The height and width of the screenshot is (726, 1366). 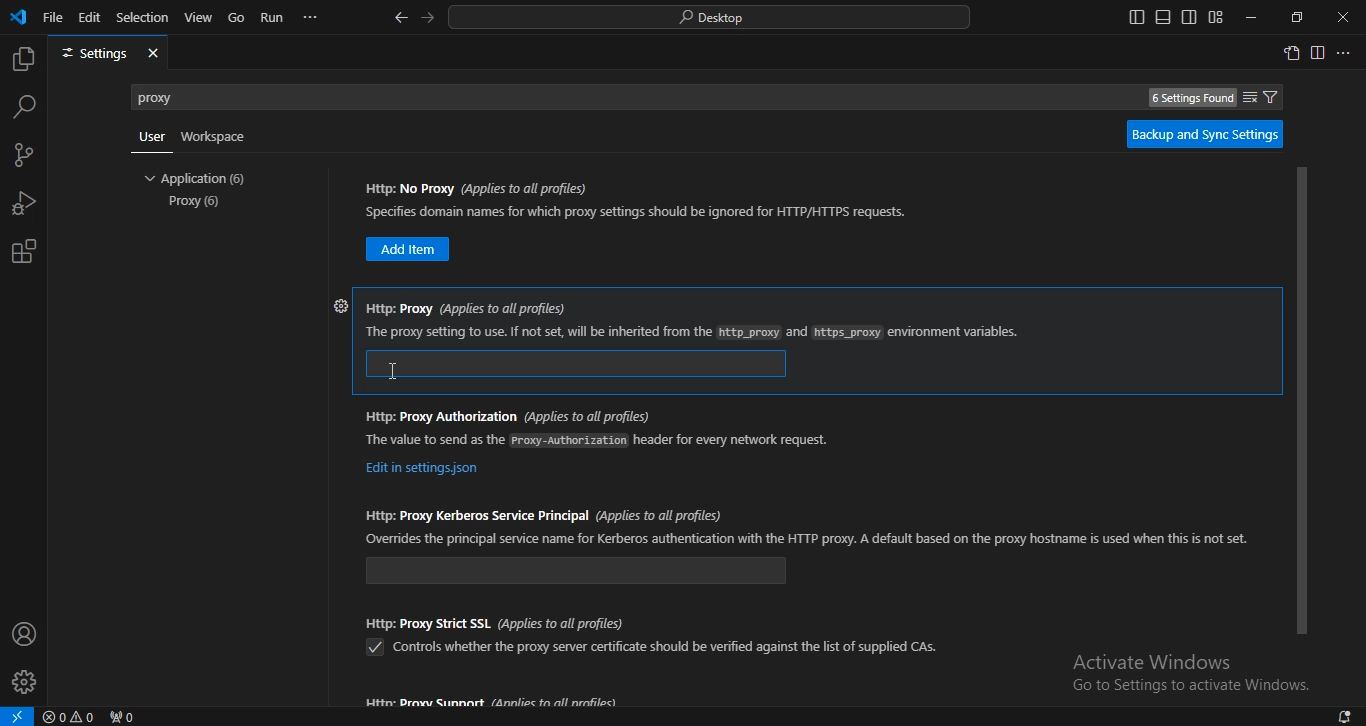 I want to click on minimize, so click(x=1253, y=19).